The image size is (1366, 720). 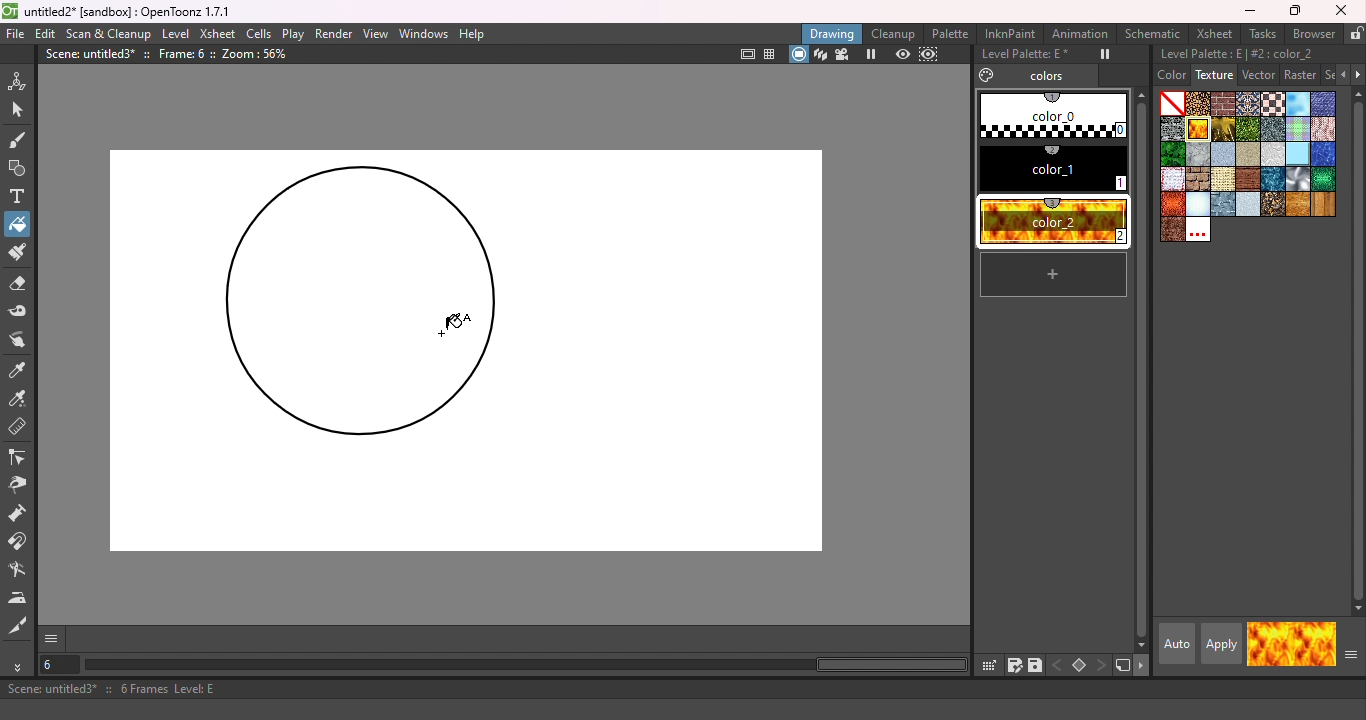 What do you see at coordinates (19, 428) in the screenshot?
I see `Ruler tool` at bounding box center [19, 428].